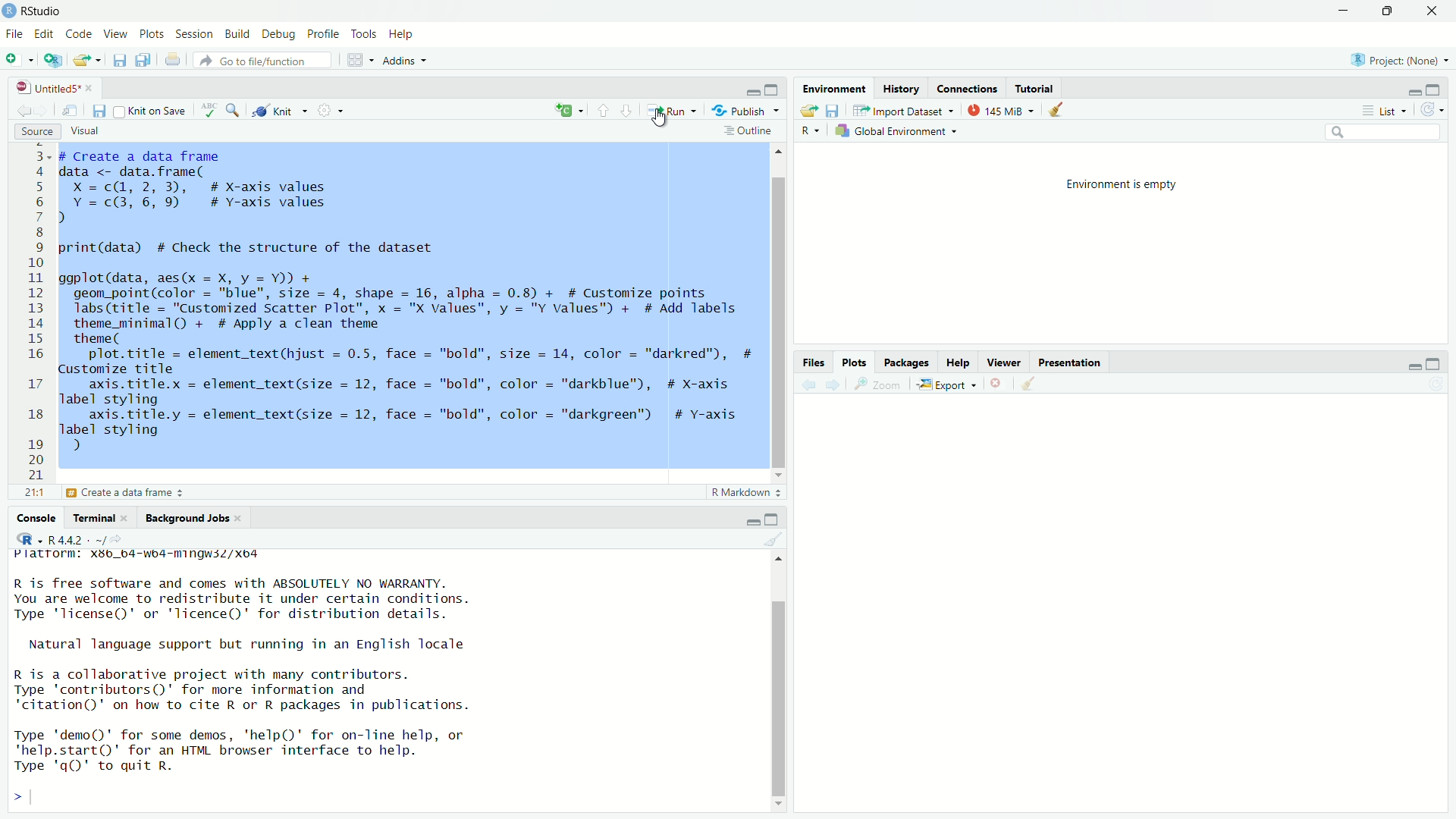 This screenshot has height=819, width=1456. I want to click on Viewer, so click(1002, 365).